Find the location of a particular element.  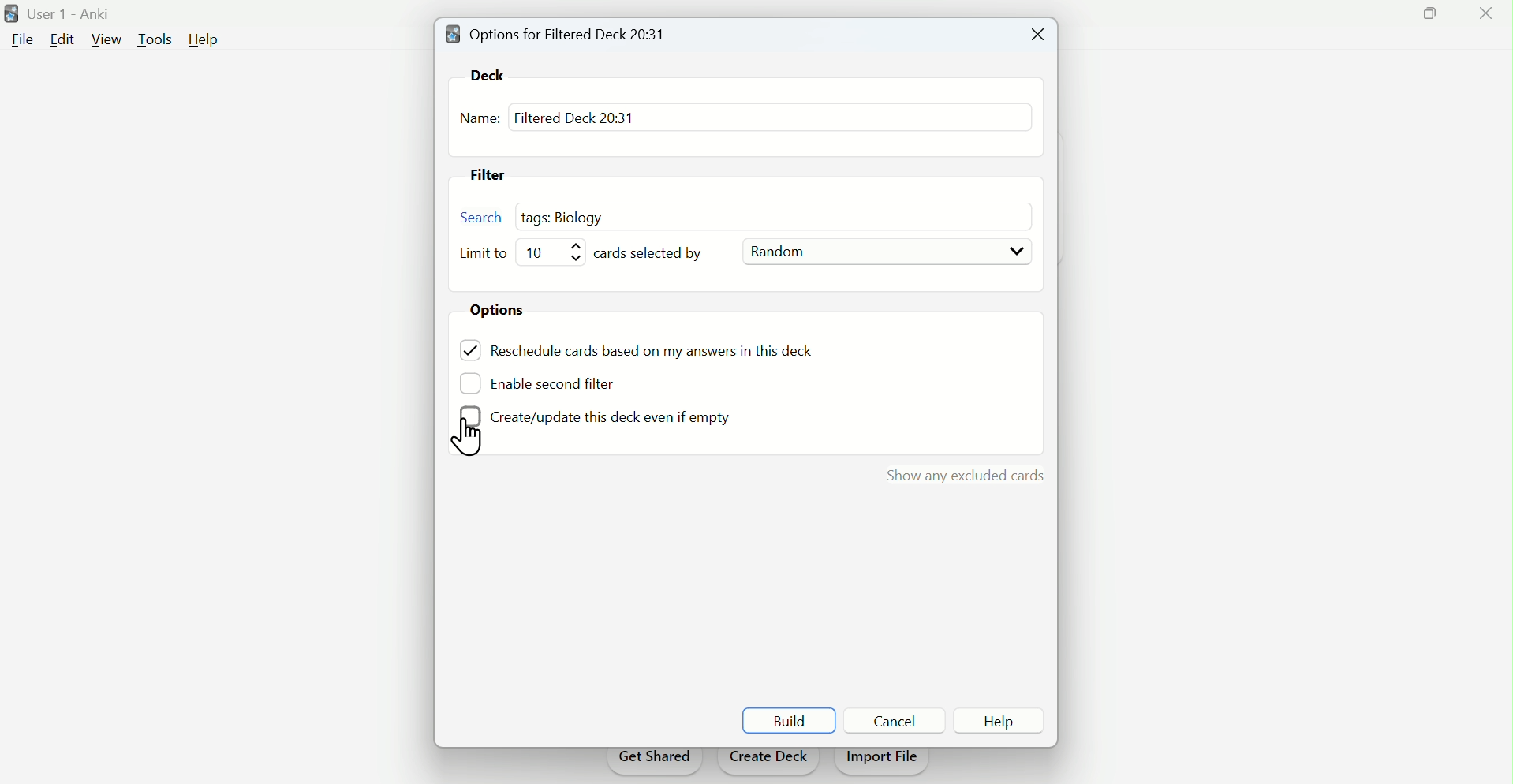

 build Build is located at coordinates (789, 721).